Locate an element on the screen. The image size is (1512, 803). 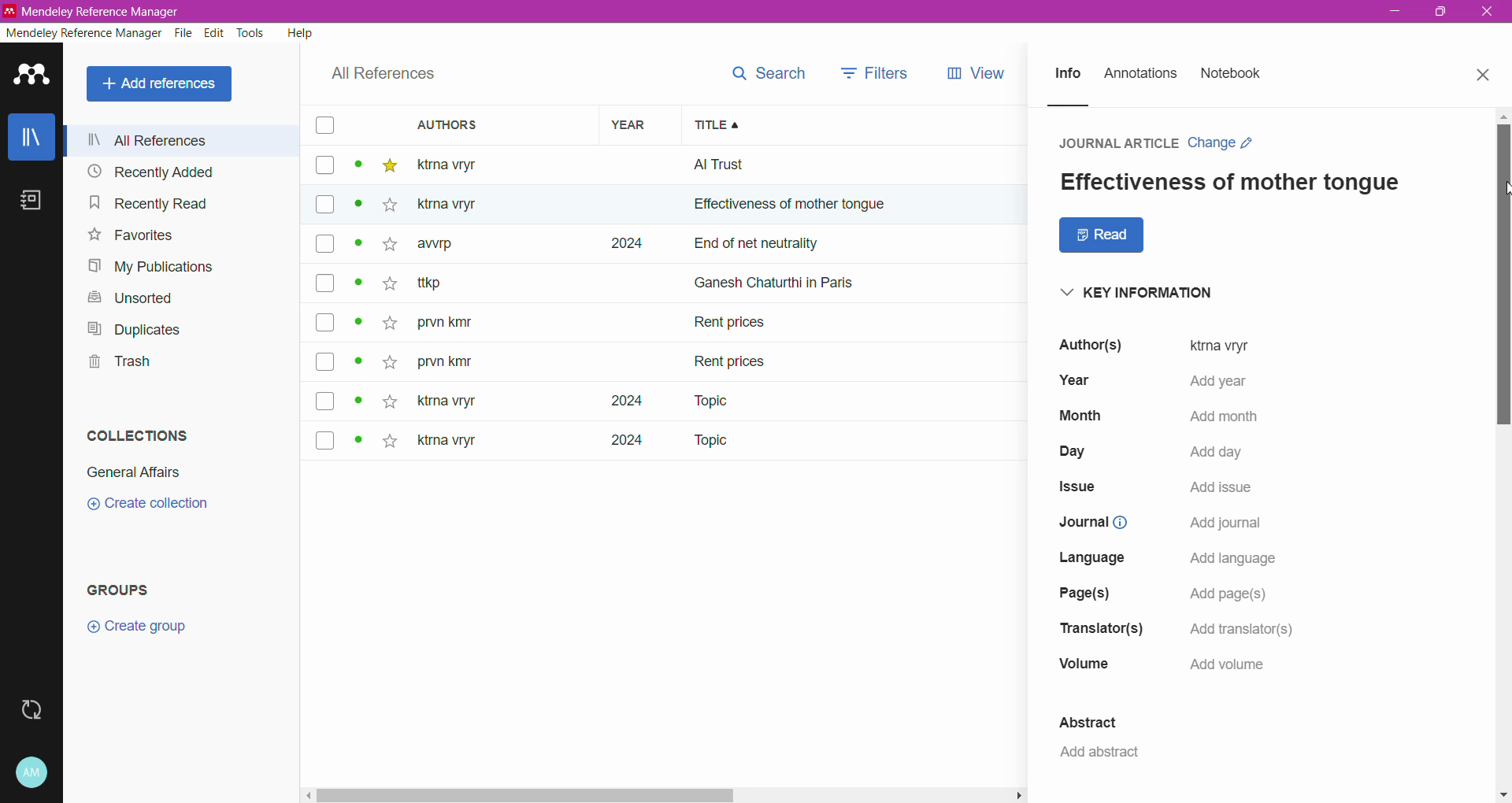
Year is located at coordinates (1071, 382).